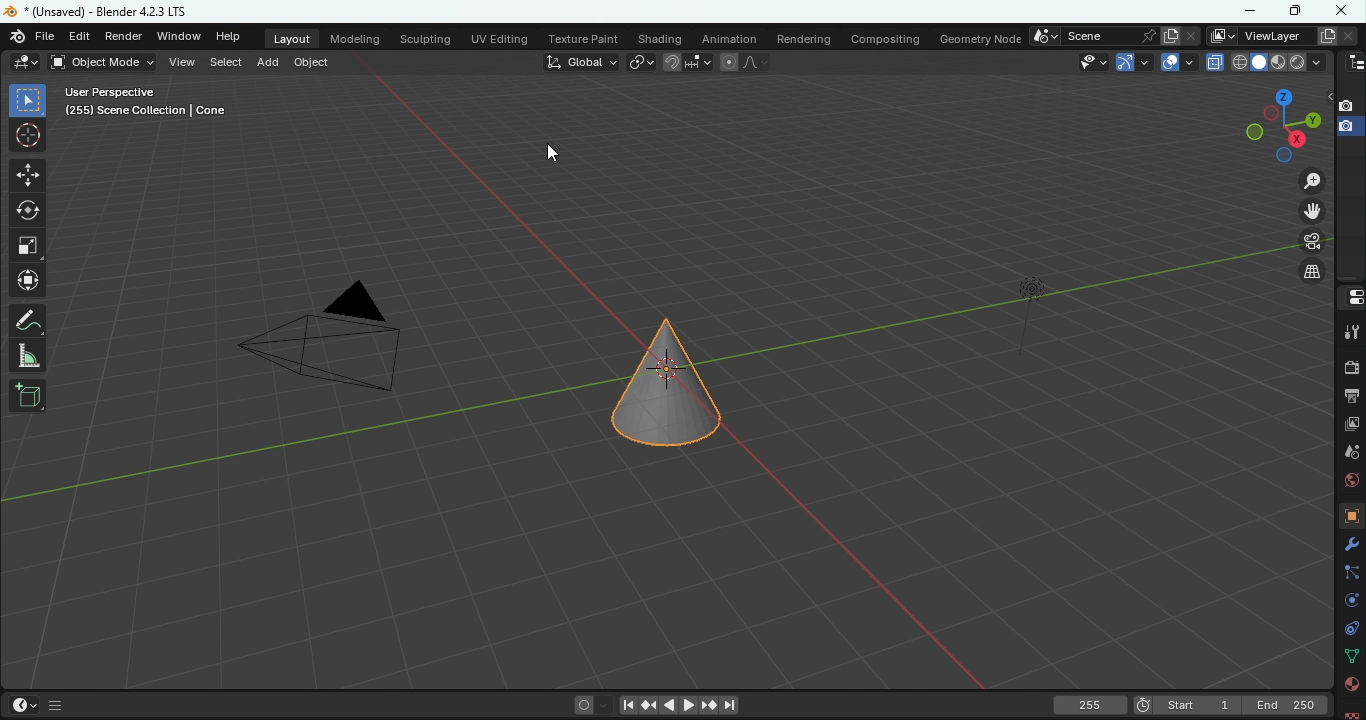 This screenshot has width=1366, height=720. Describe the element at coordinates (1351, 330) in the screenshot. I see `Tool` at that location.